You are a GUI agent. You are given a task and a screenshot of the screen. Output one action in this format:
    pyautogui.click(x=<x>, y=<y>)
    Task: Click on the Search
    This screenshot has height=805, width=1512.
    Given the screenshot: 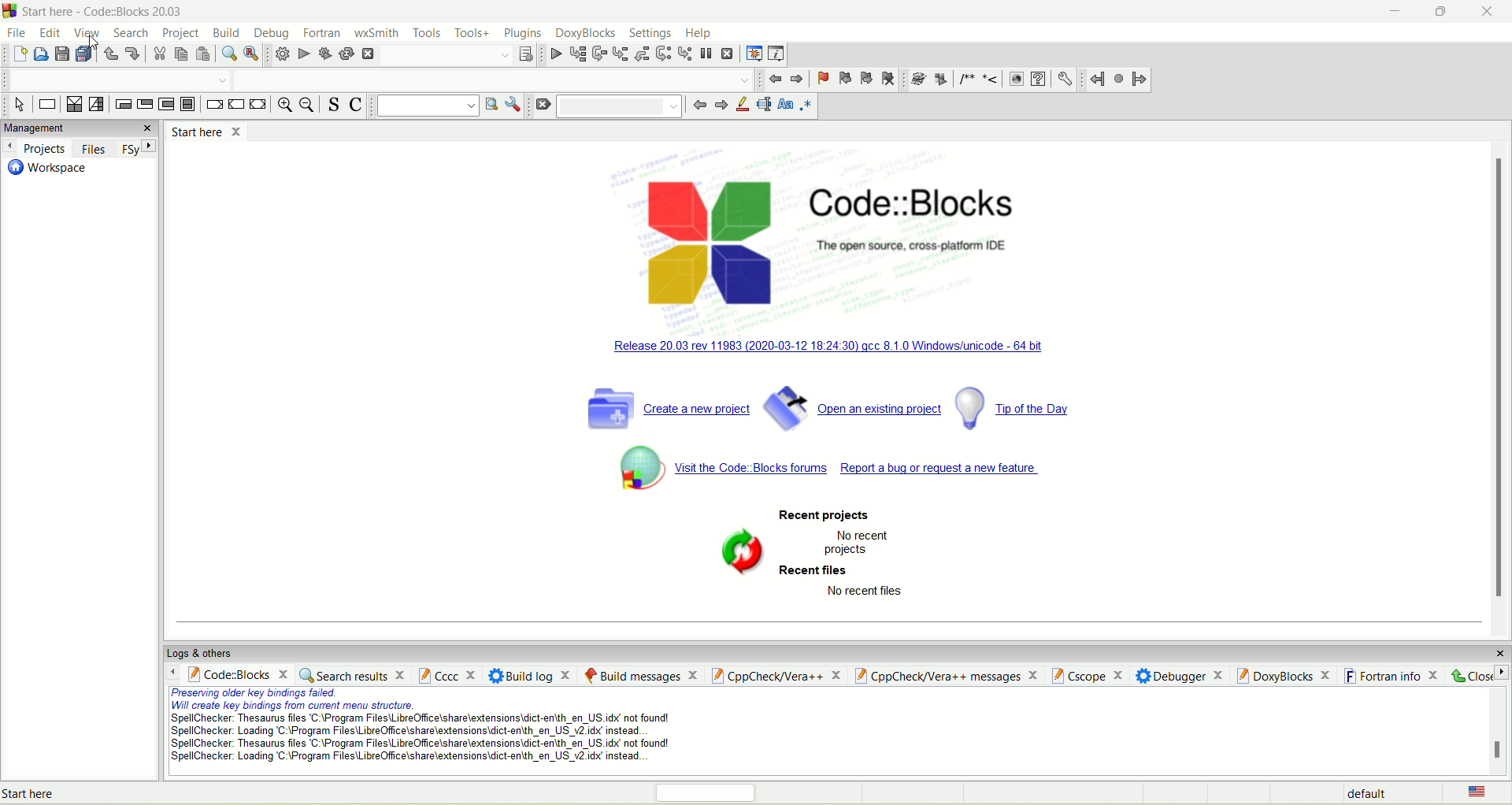 What is the action you would take?
    pyautogui.click(x=441, y=55)
    